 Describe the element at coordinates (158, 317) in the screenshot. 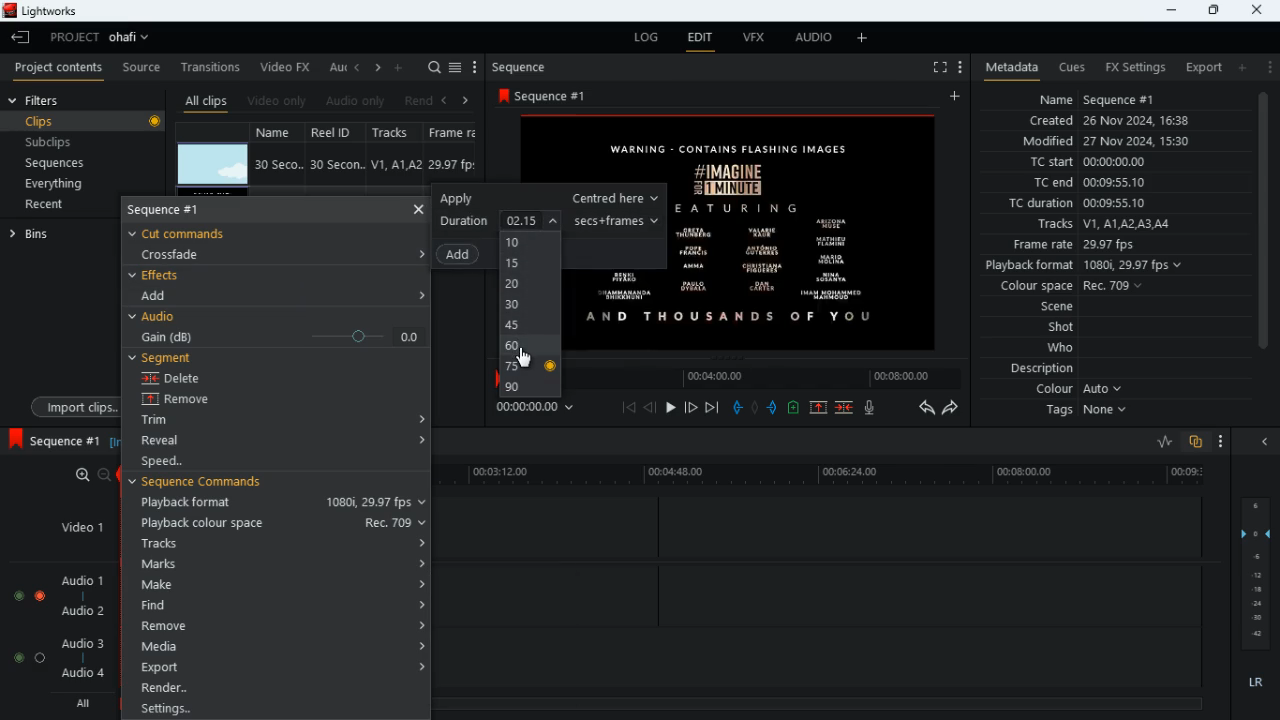

I see `audio` at that location.